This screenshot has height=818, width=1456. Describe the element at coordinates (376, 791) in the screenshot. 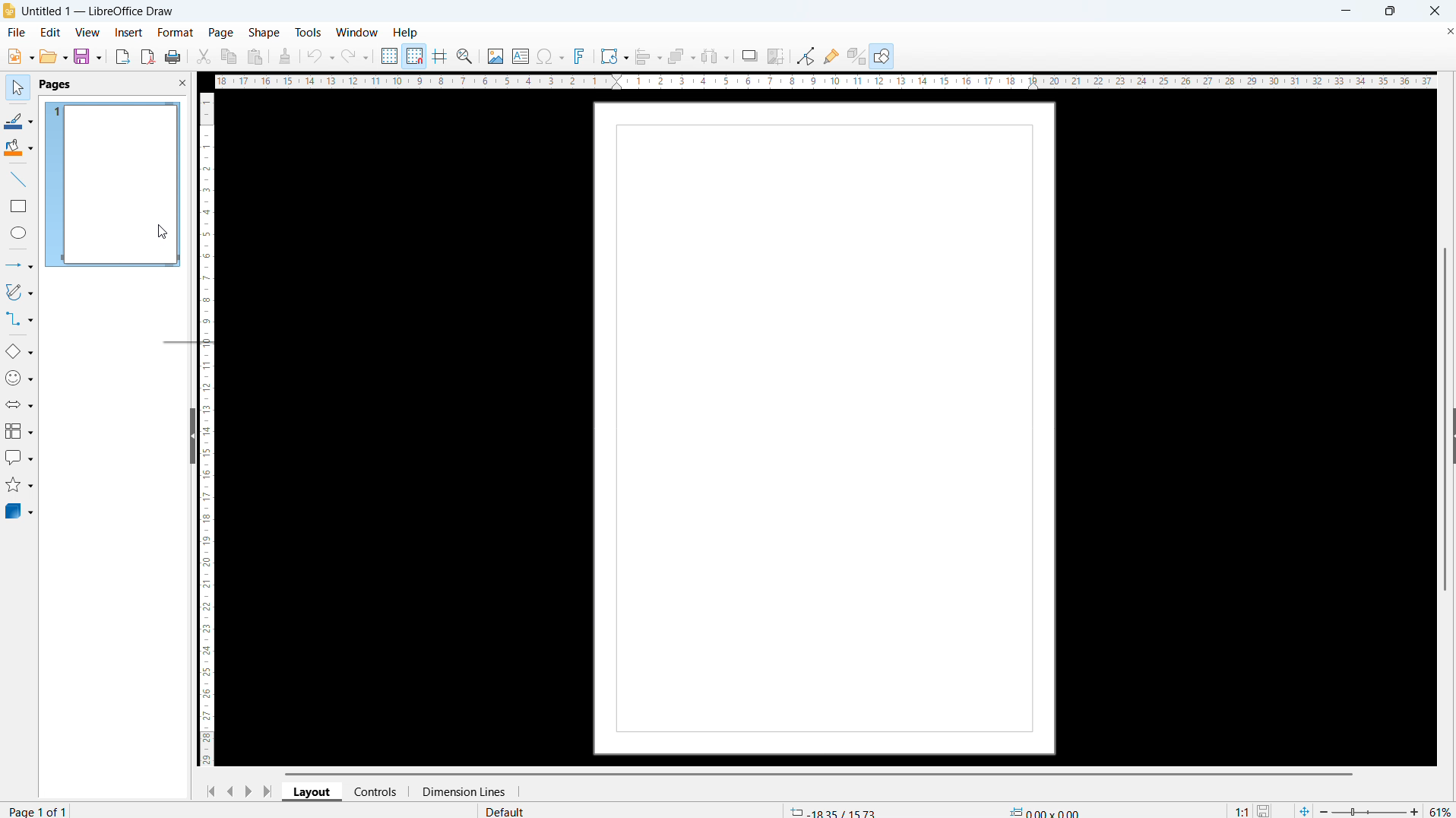

I see `controls` at that location.